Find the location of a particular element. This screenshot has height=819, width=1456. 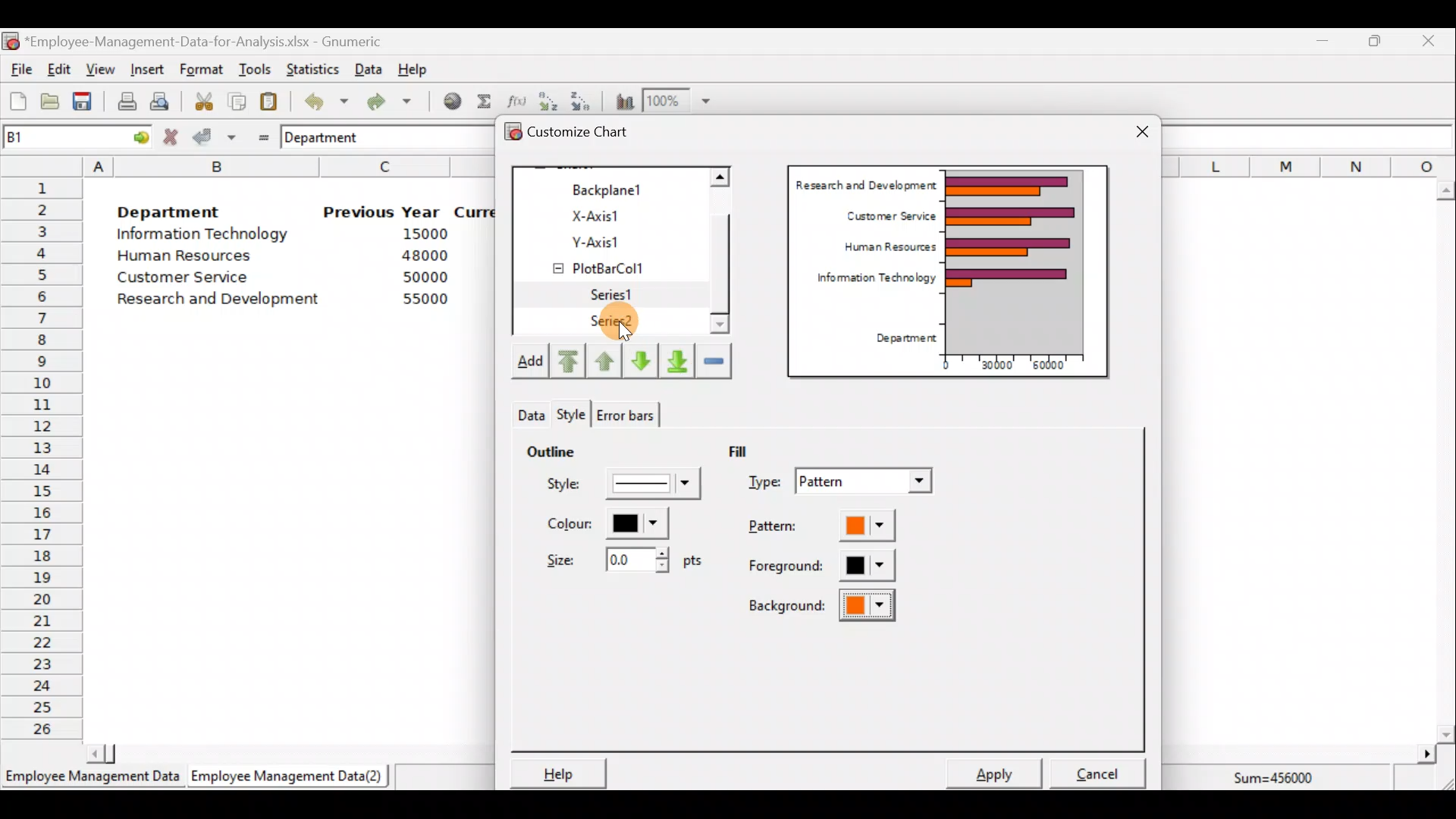

Move up is located at coordinates (604, 359).